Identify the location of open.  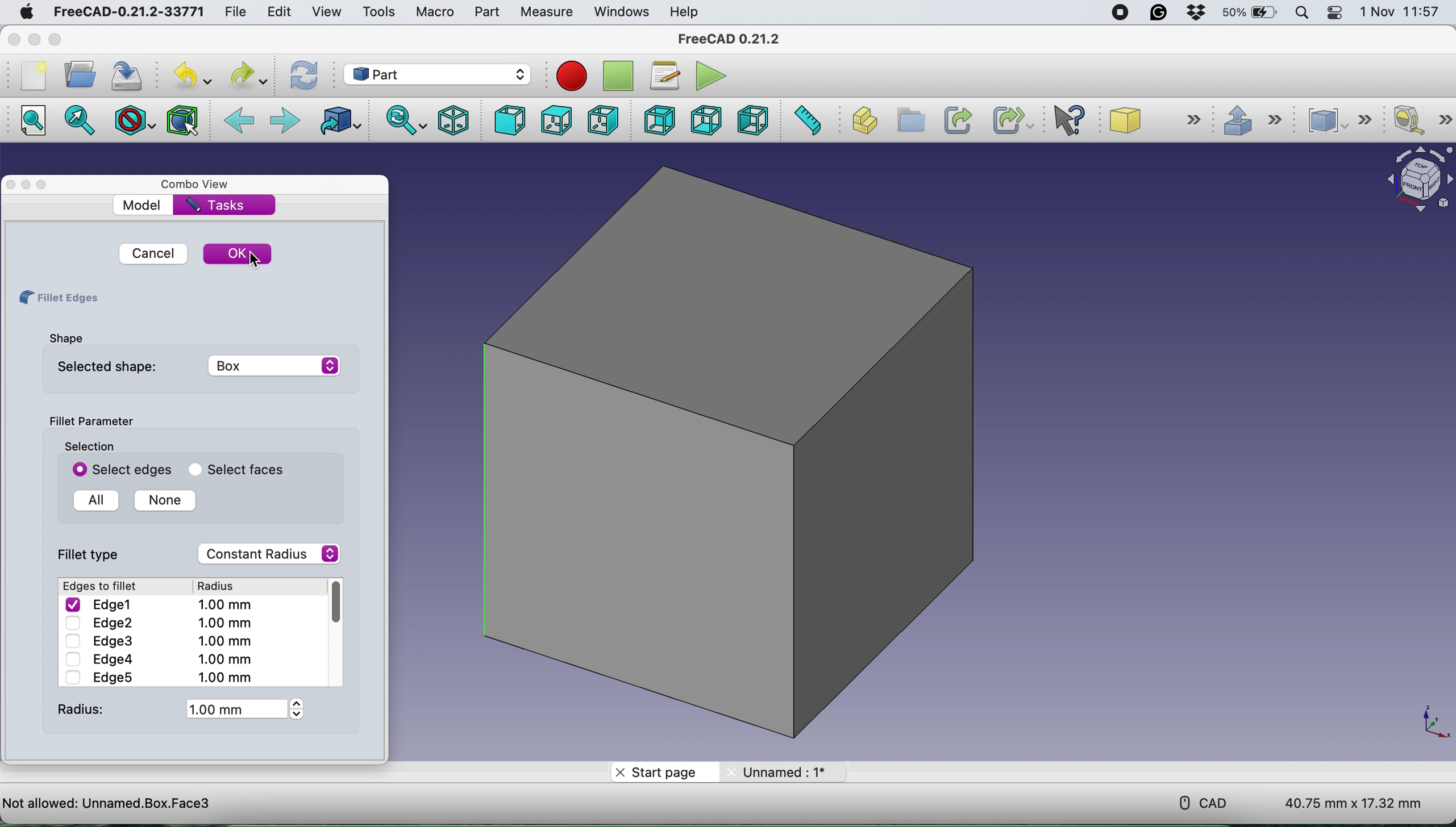
(78, 75).